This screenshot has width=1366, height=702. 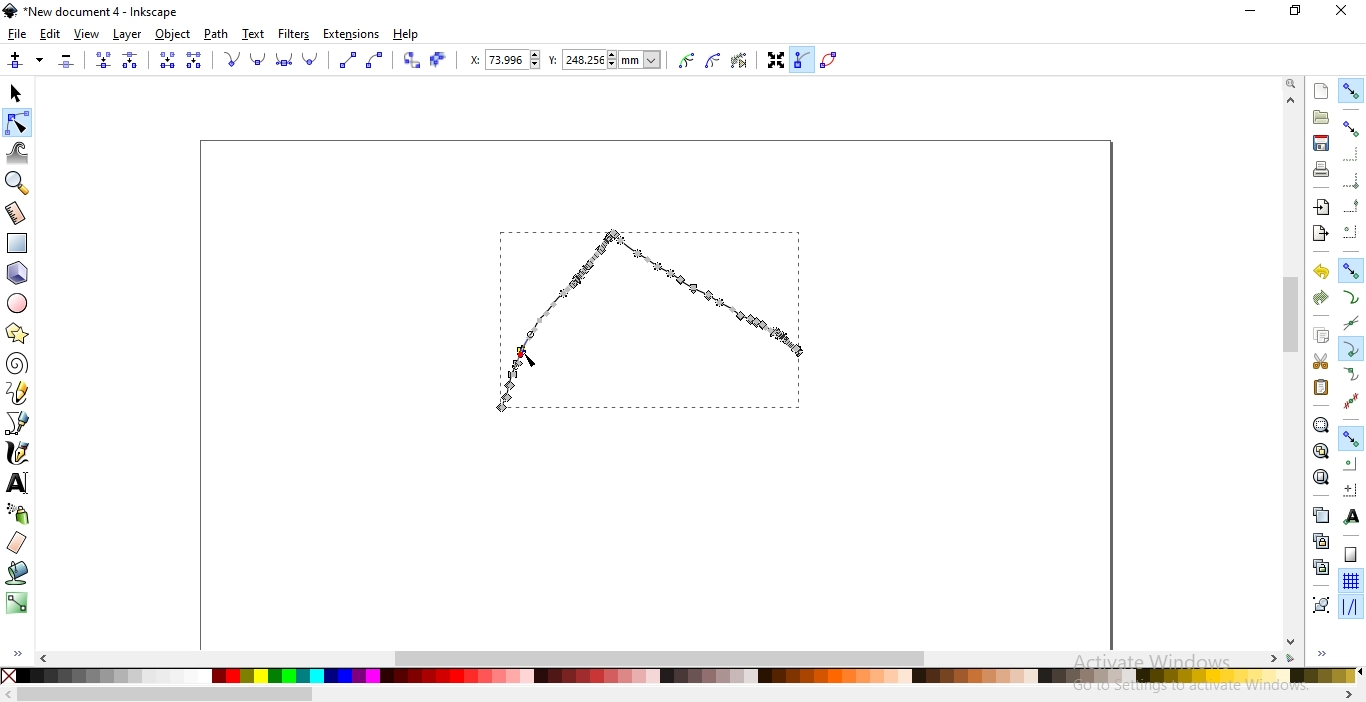 I want to click on snap an item's rotation center, so click(x=1350, y=489).